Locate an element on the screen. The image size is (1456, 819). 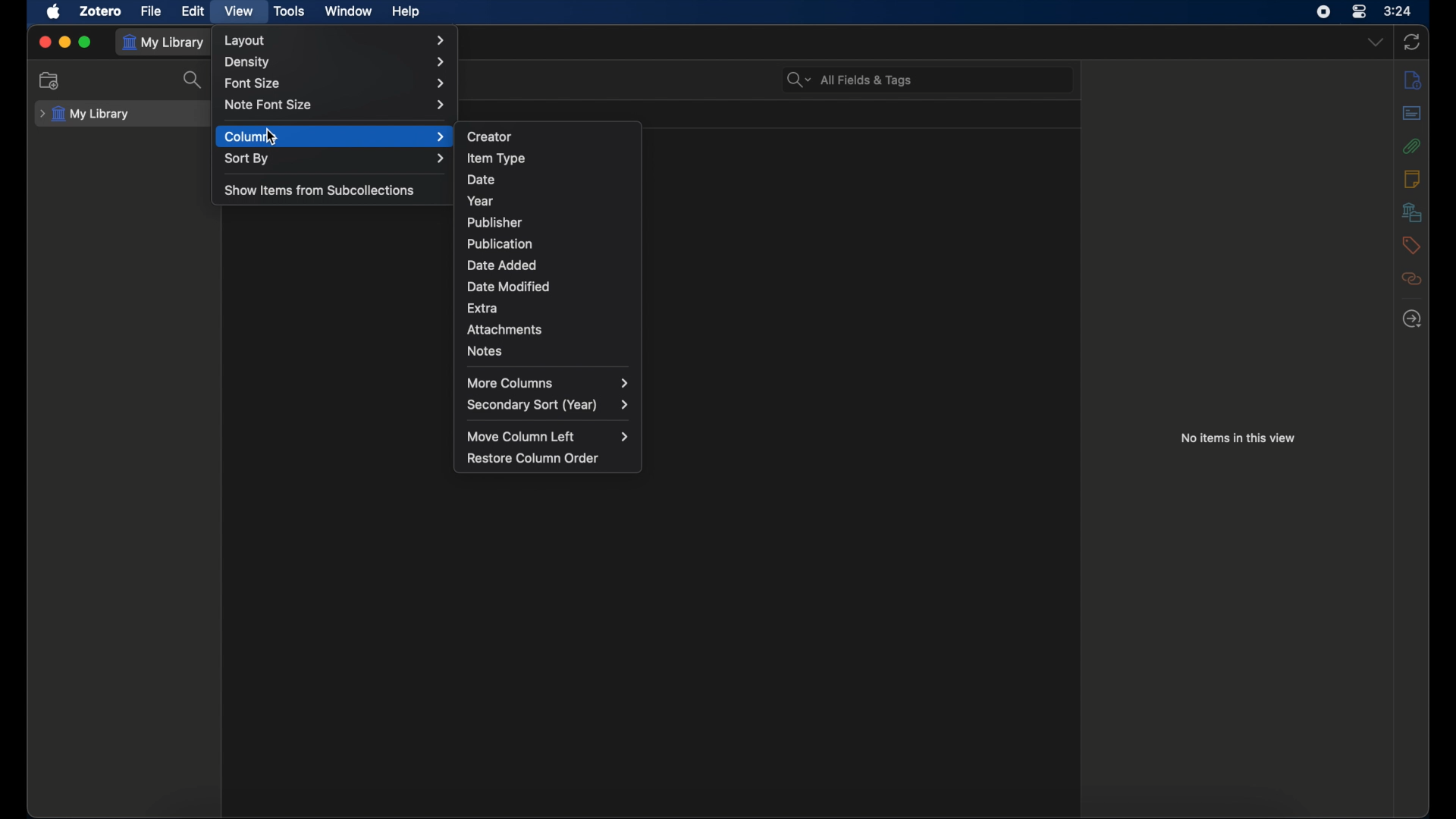
restore column order is located at coordinates (533, 459).